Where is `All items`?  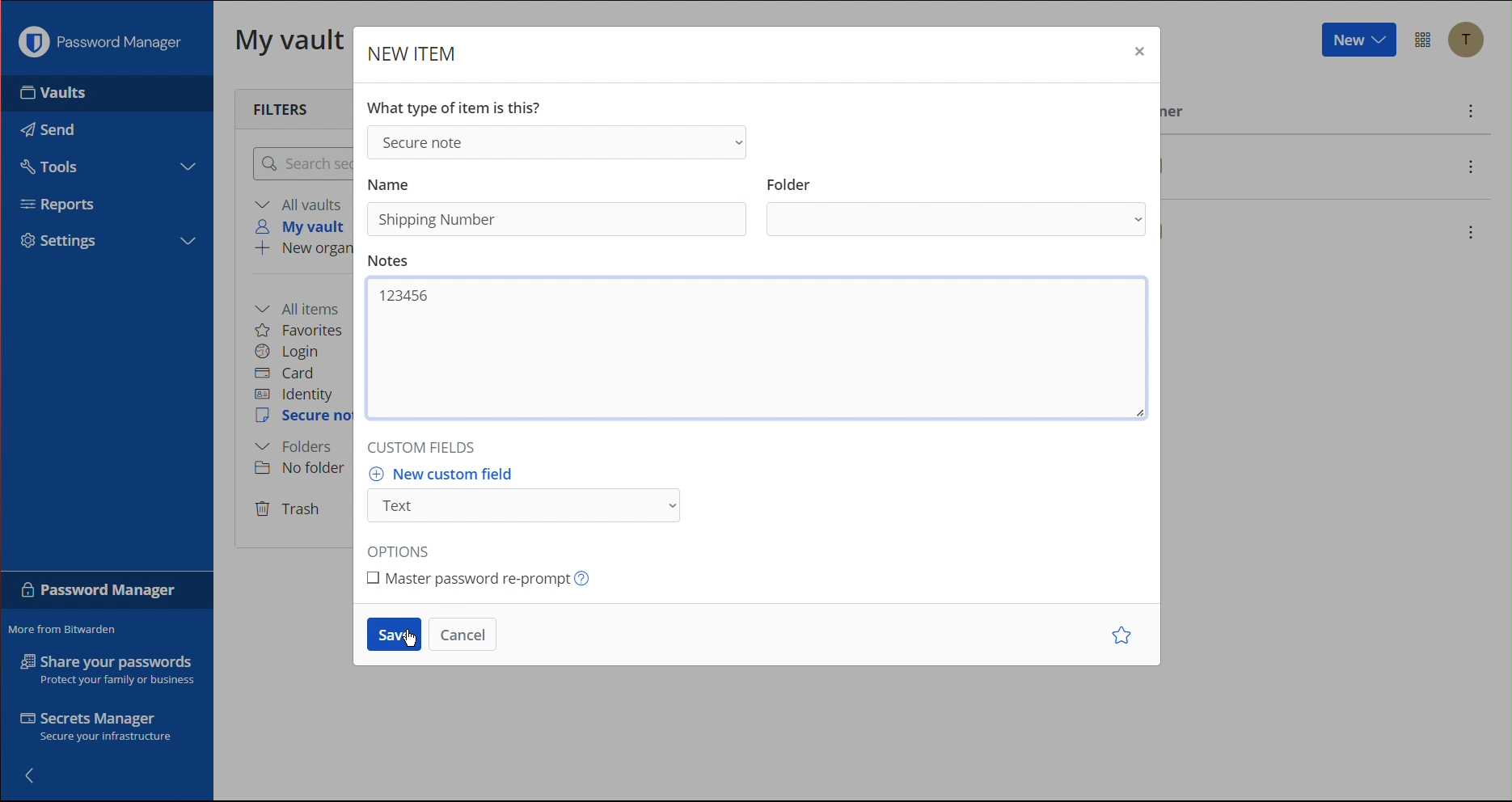 All items is located at coordinates (305, 306).